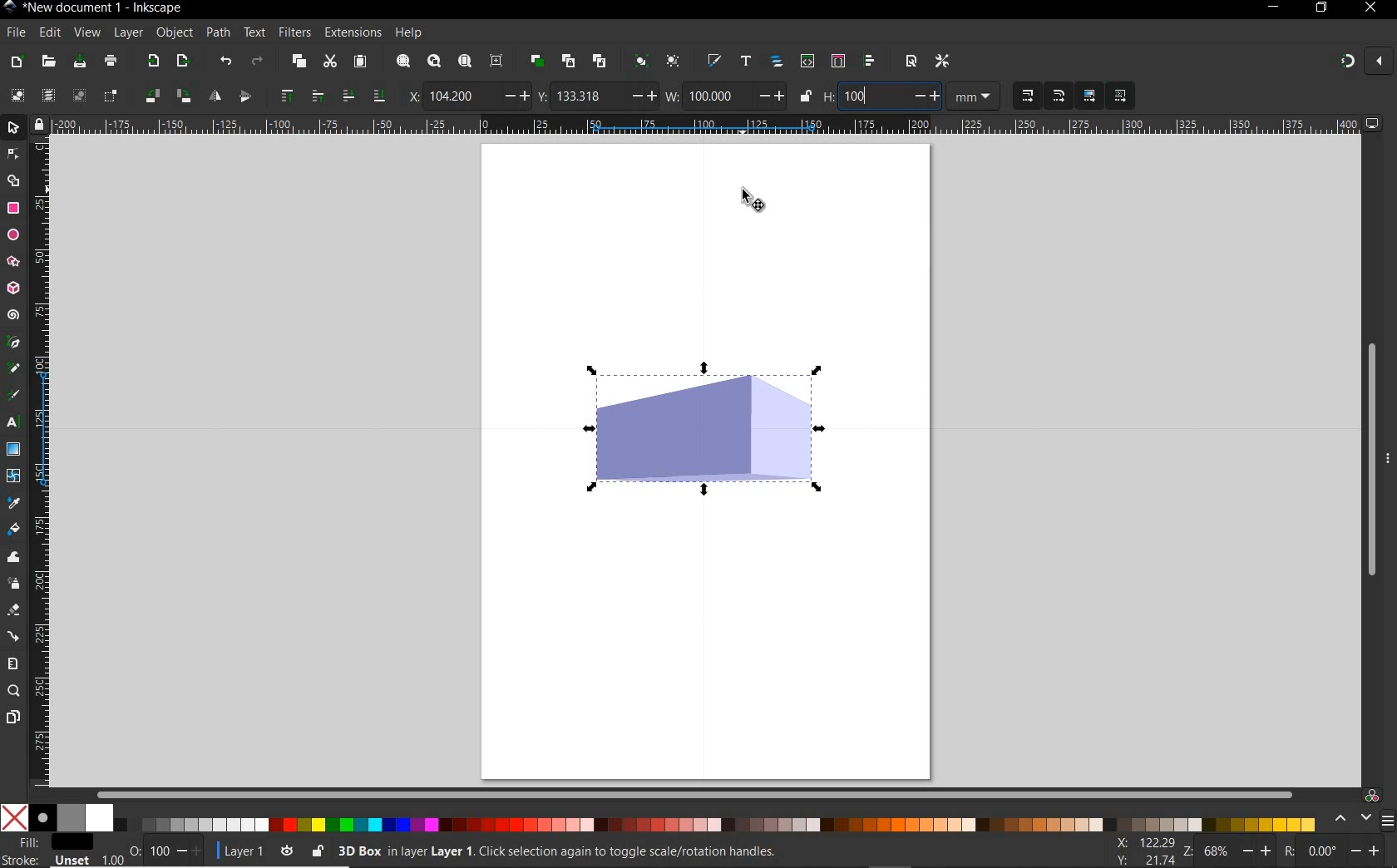 The width and height of the screenshot is (1397, 868). I want to click on import, so click(152, 61).